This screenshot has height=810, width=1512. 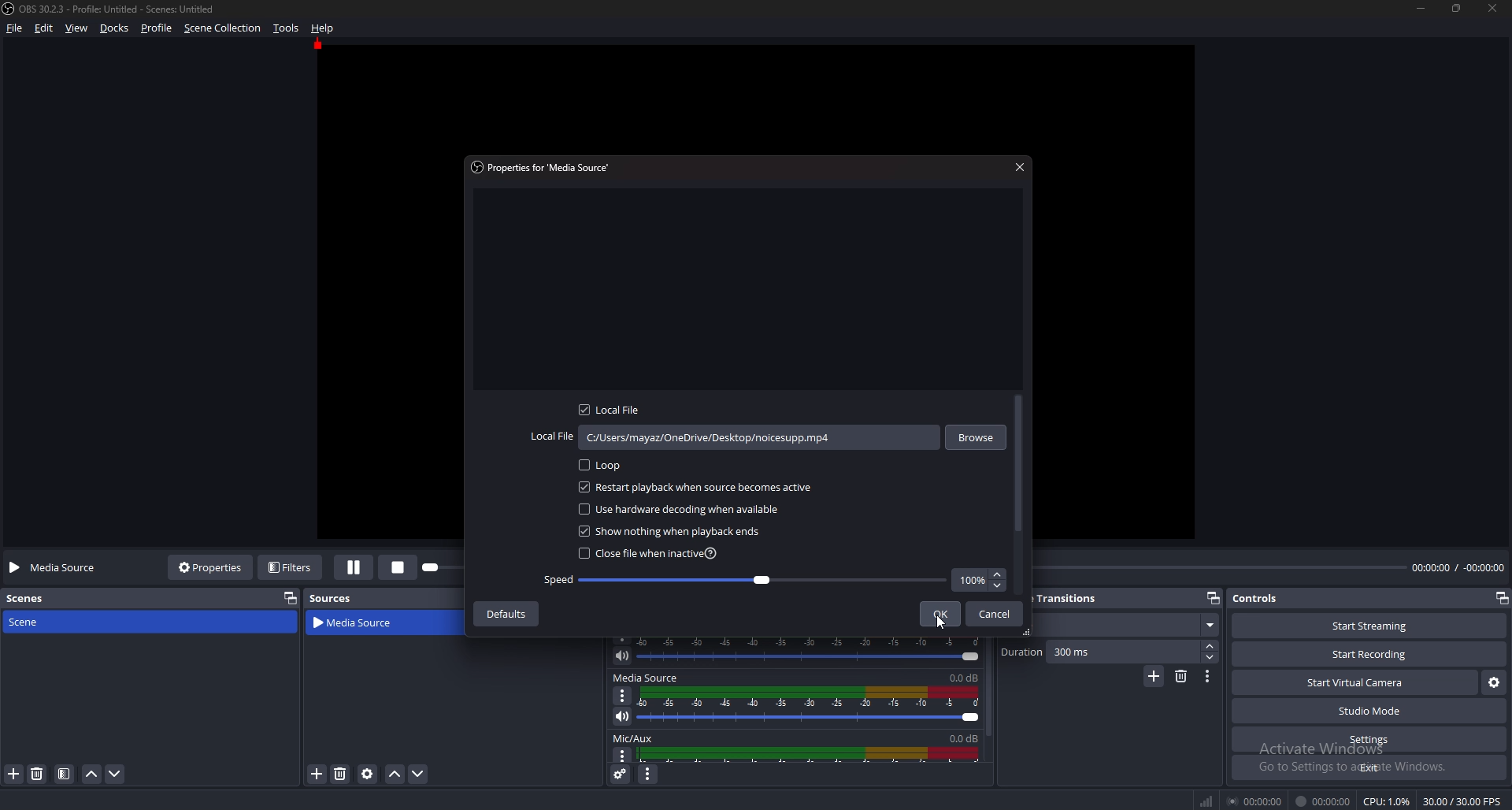 I want to click on Decrease duration, so click(x=1211, y=657).